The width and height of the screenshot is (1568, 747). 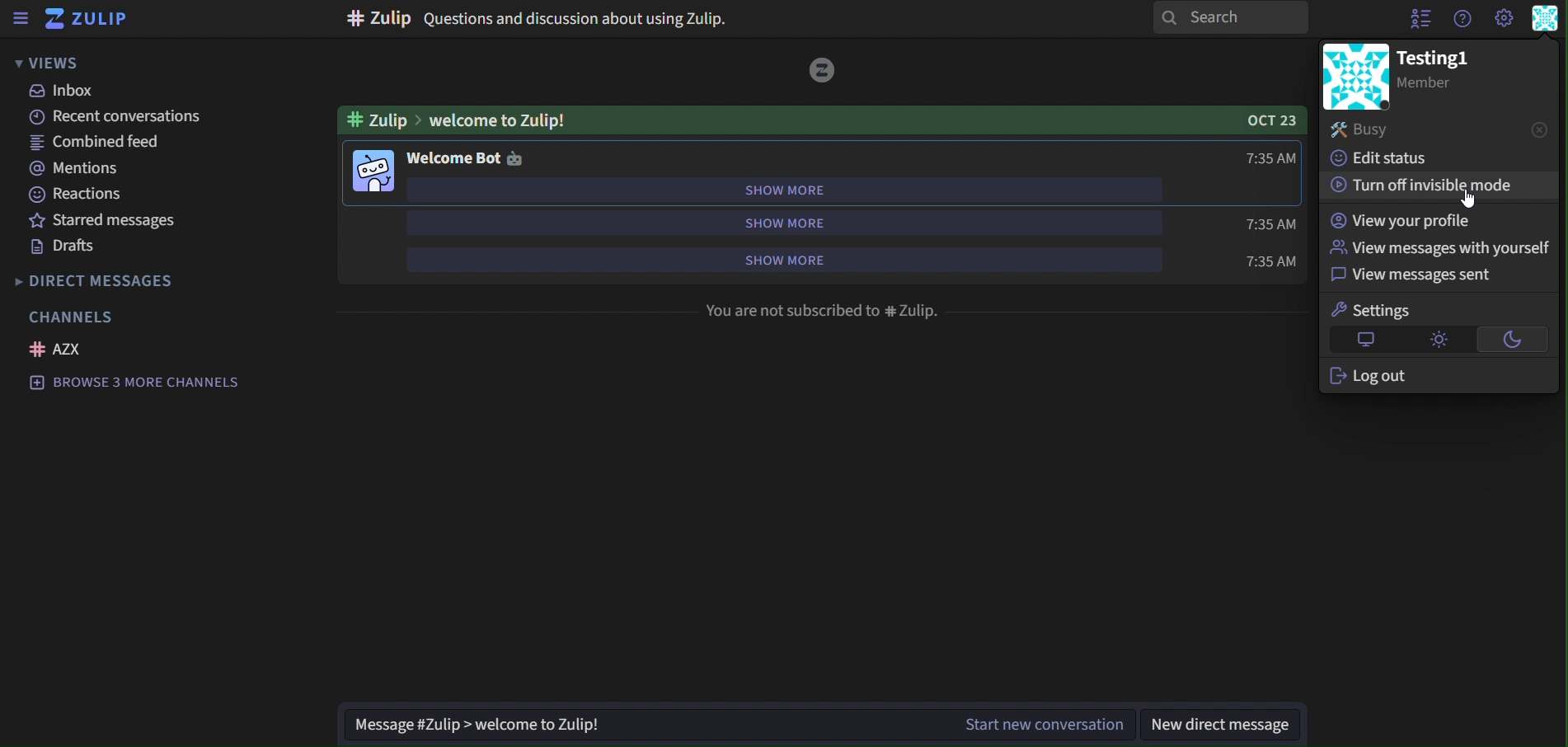 I want to click on default theme, so click(x=1366, y=340).